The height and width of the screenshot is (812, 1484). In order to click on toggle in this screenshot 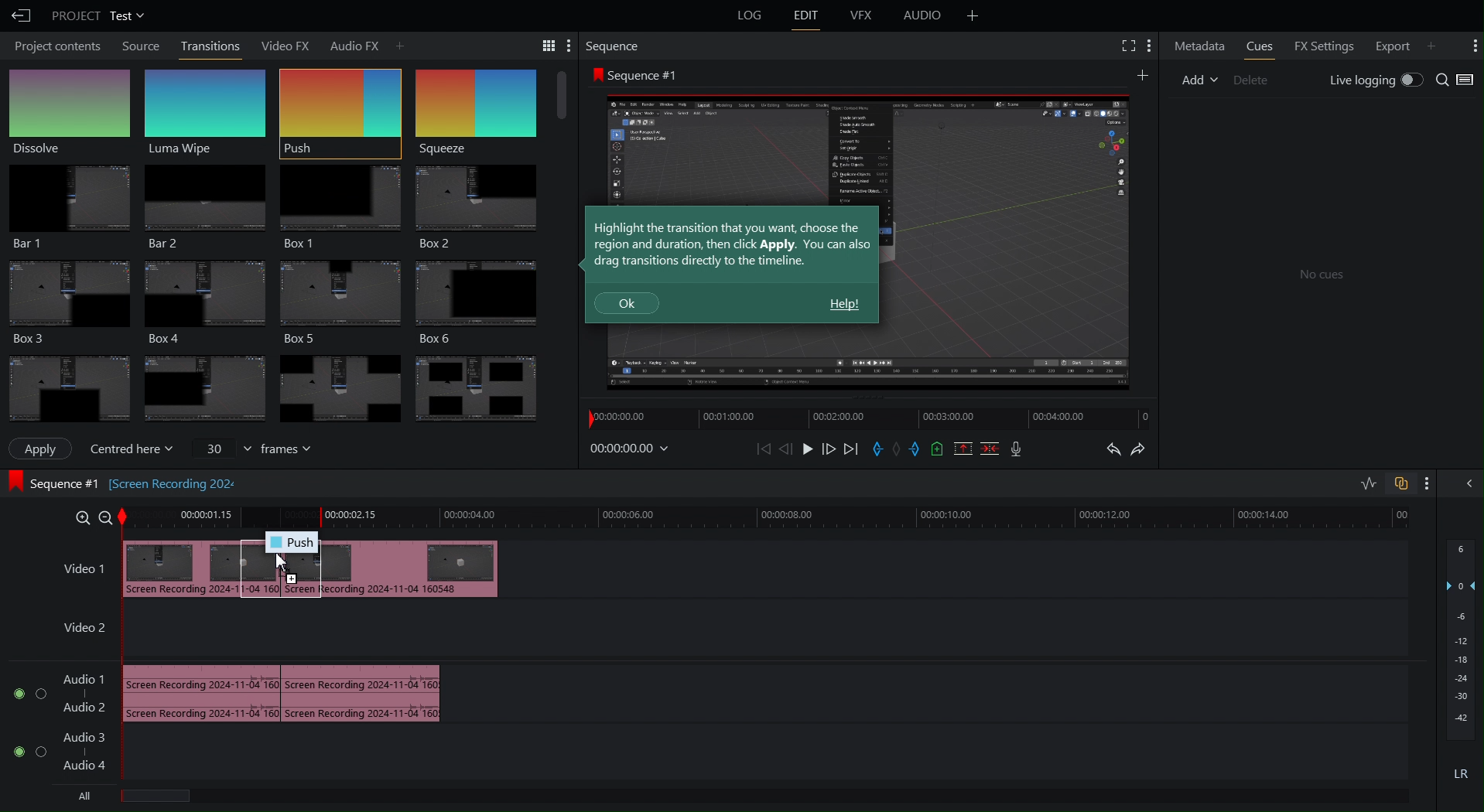, I will do `click(14, 698)`.